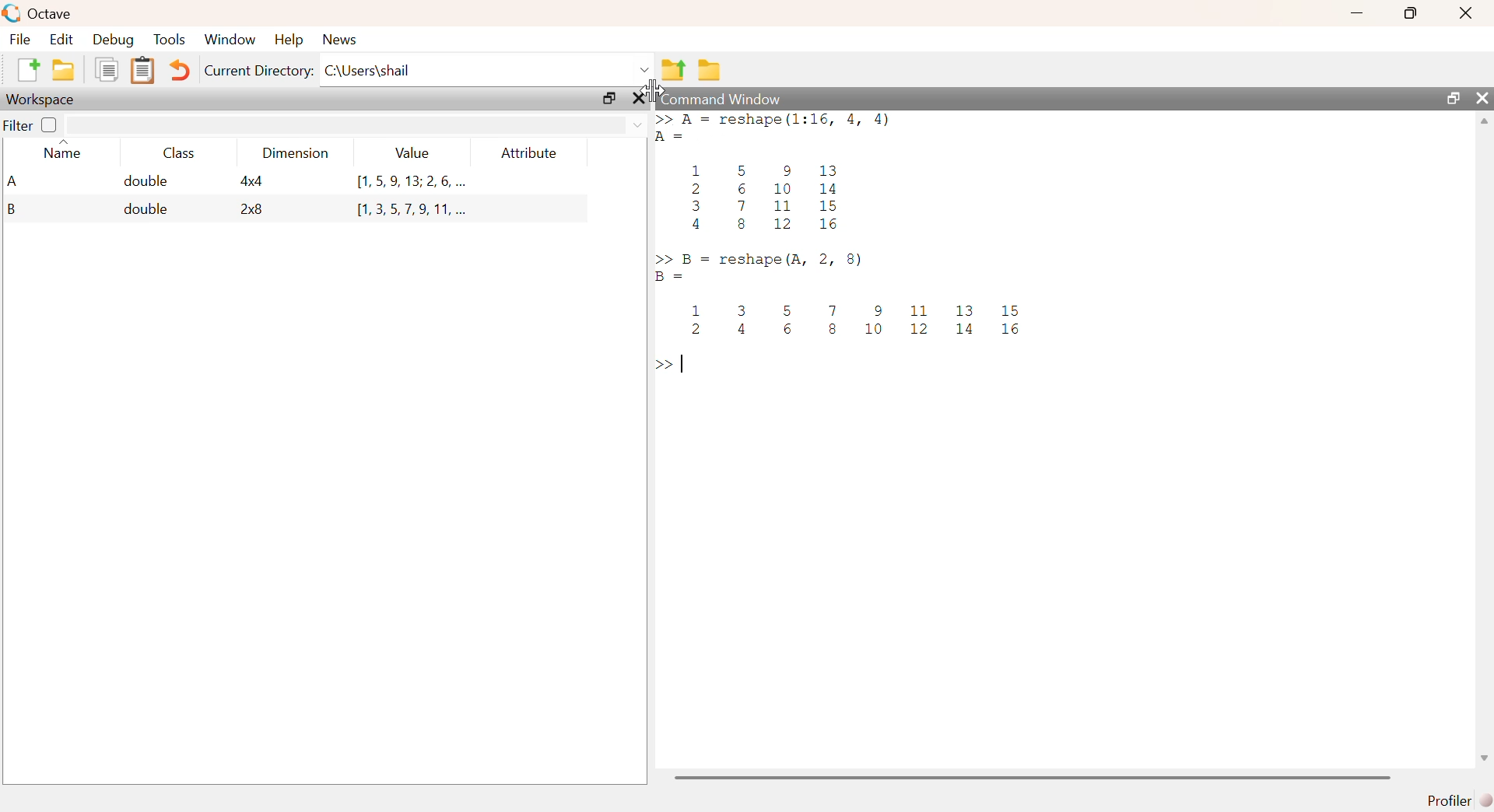  I want to click on scrollbar, so click(1485, 446).